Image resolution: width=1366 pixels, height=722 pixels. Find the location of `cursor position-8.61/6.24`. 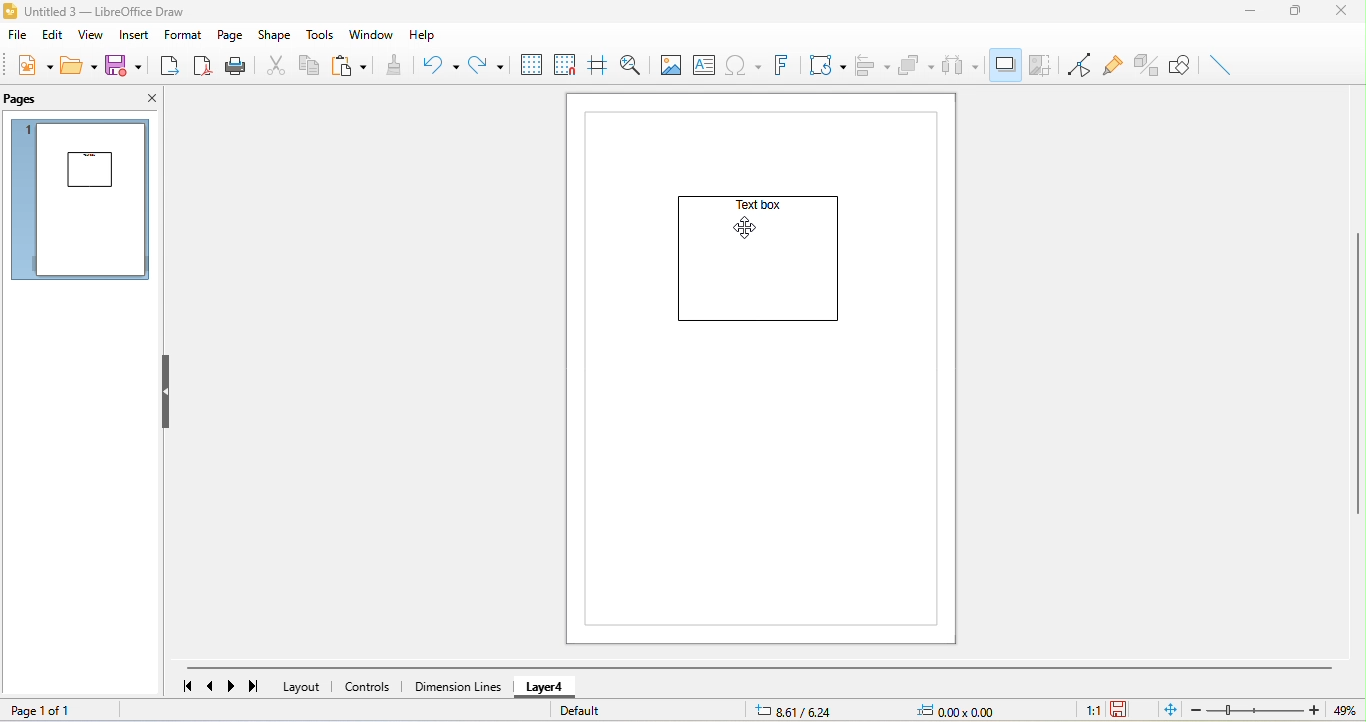

cursor position-8.61/6.24 is located at coordinates (797, 710).